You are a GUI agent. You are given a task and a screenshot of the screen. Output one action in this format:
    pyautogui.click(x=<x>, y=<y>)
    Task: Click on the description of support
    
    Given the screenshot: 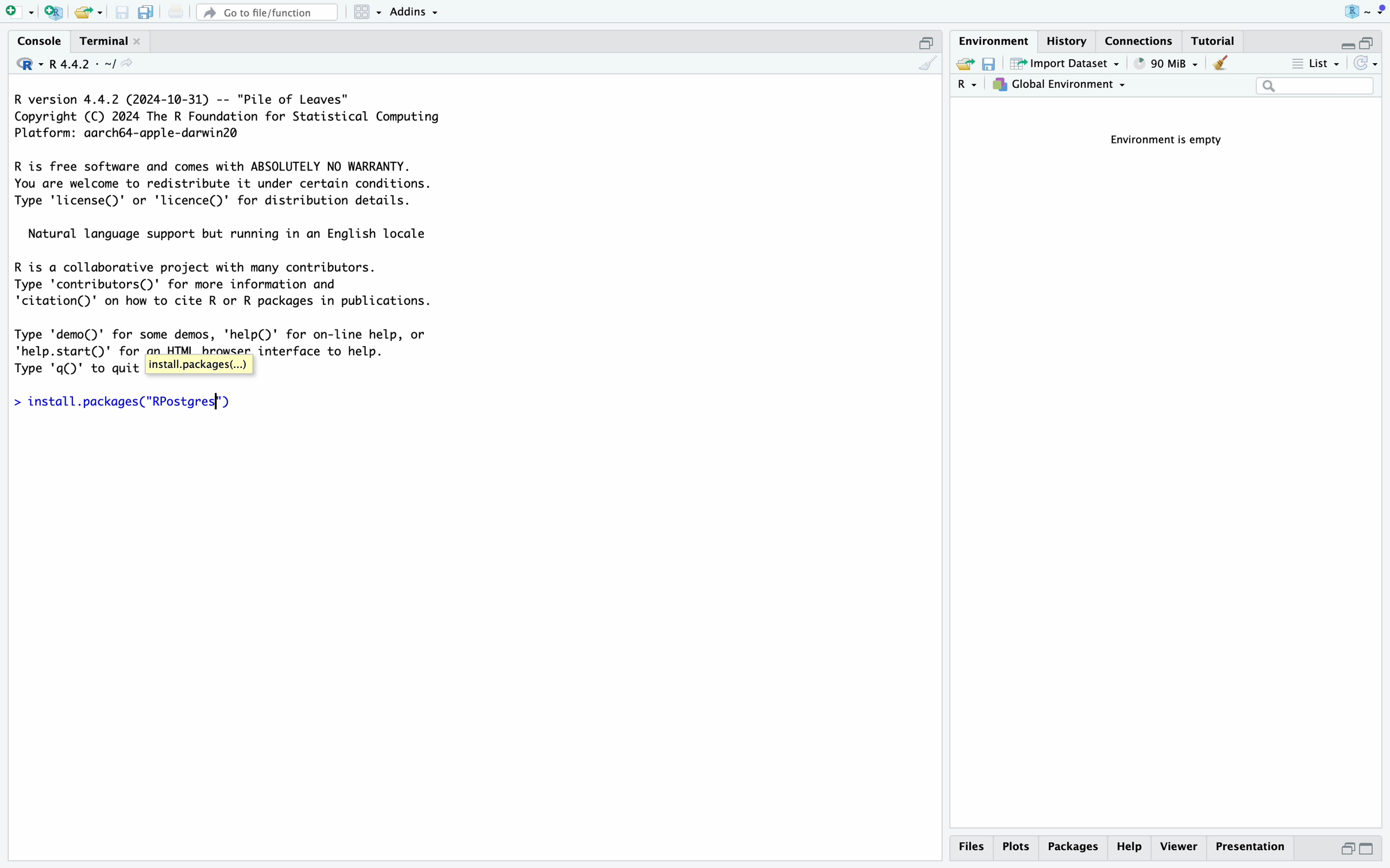 What is the action you would take?
    pyautogui.click(x=235, y=232)
    